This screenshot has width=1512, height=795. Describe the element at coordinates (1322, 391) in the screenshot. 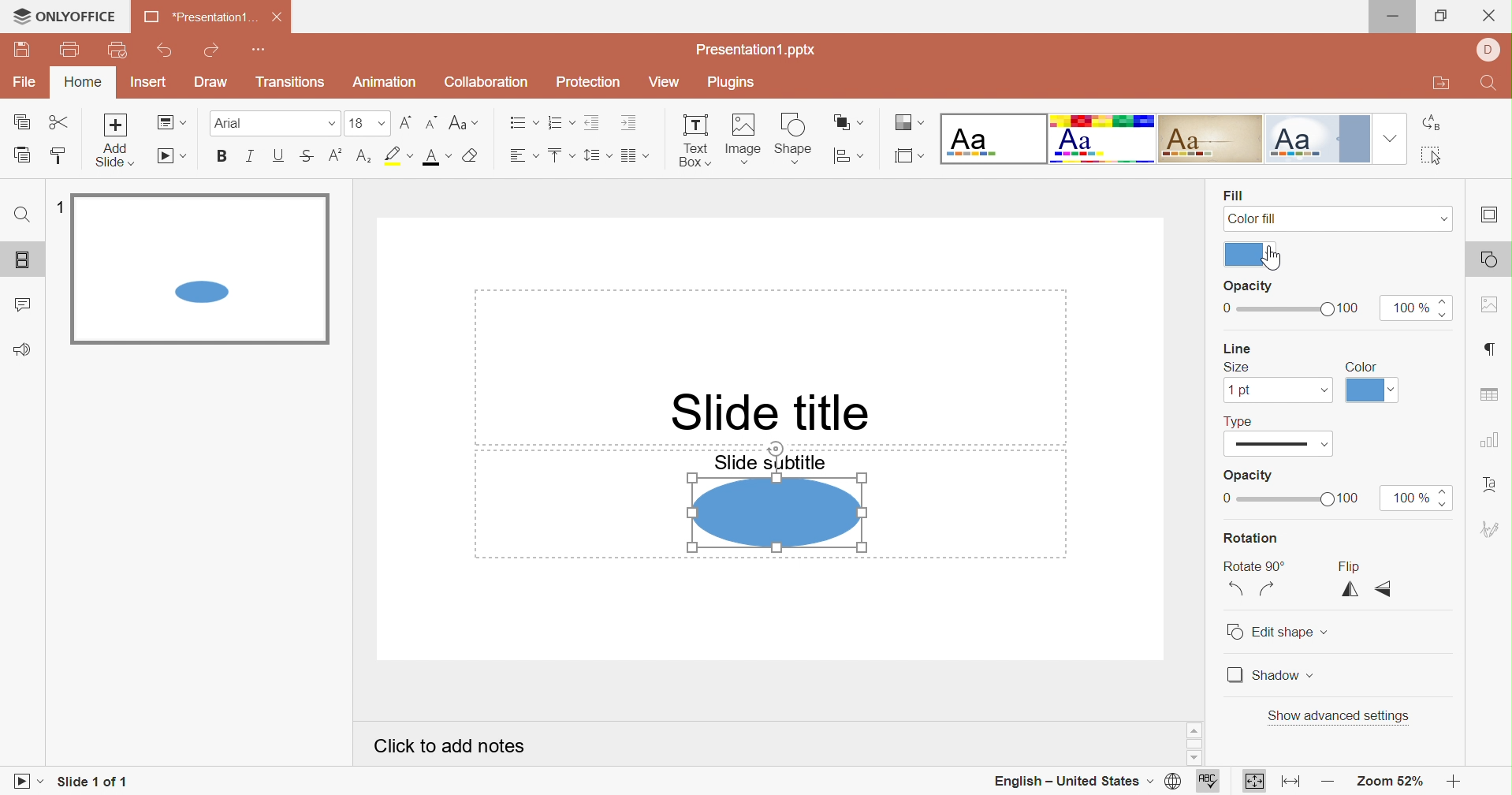

I see `Drop down` at that location.